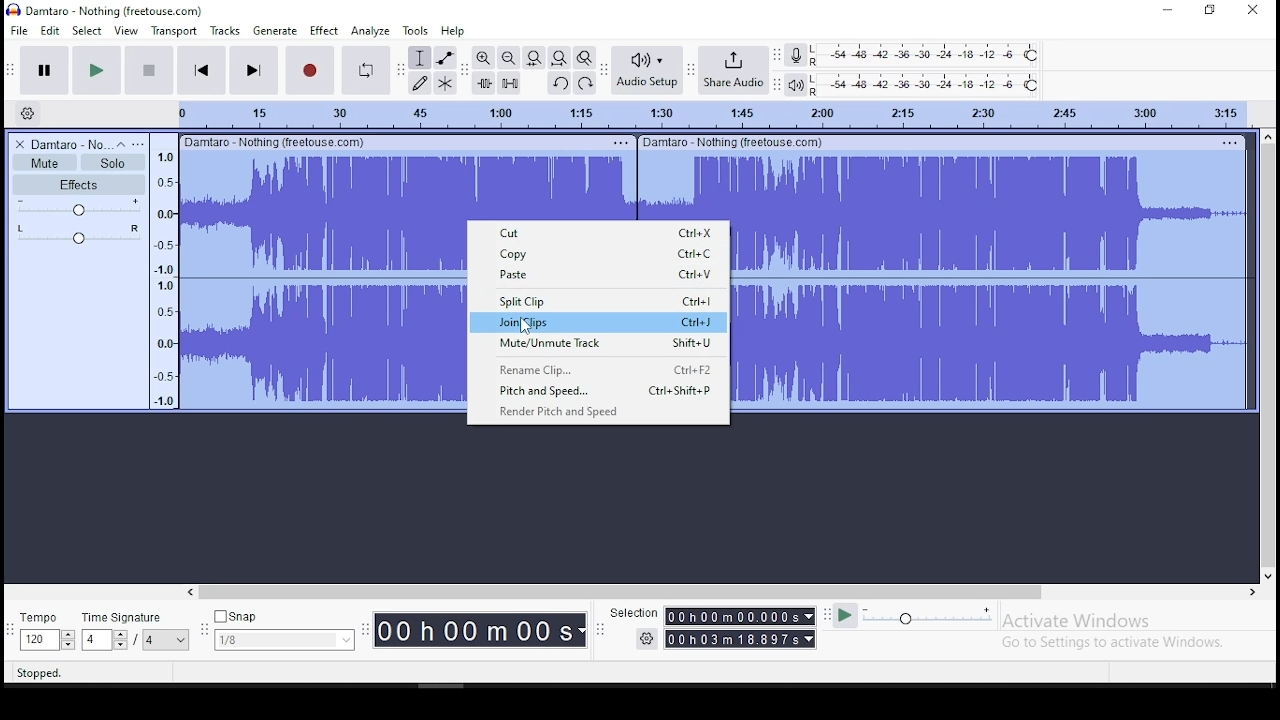 This screenshot has width=1280, height=720. I want to click on generate, so click(277, 32).